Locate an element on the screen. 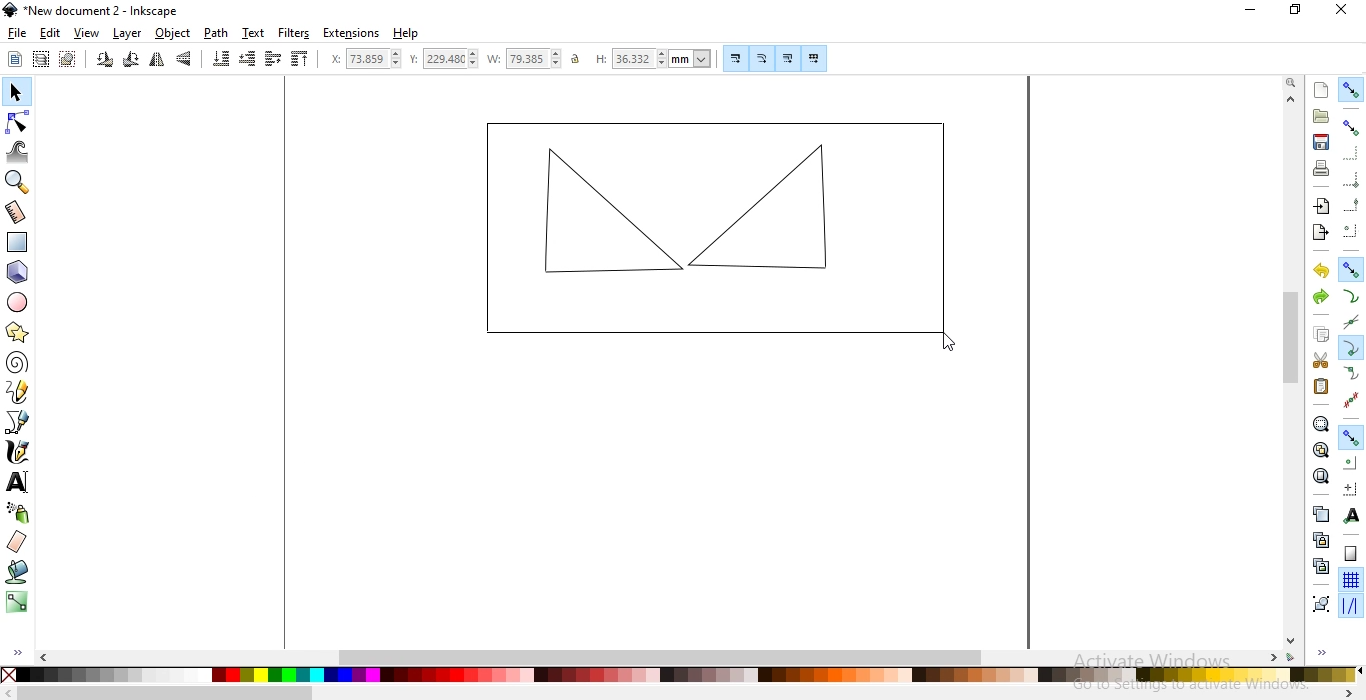 This screenshot has width=1366, height=700. edit path by nodes is located at coordinates (16, 120).